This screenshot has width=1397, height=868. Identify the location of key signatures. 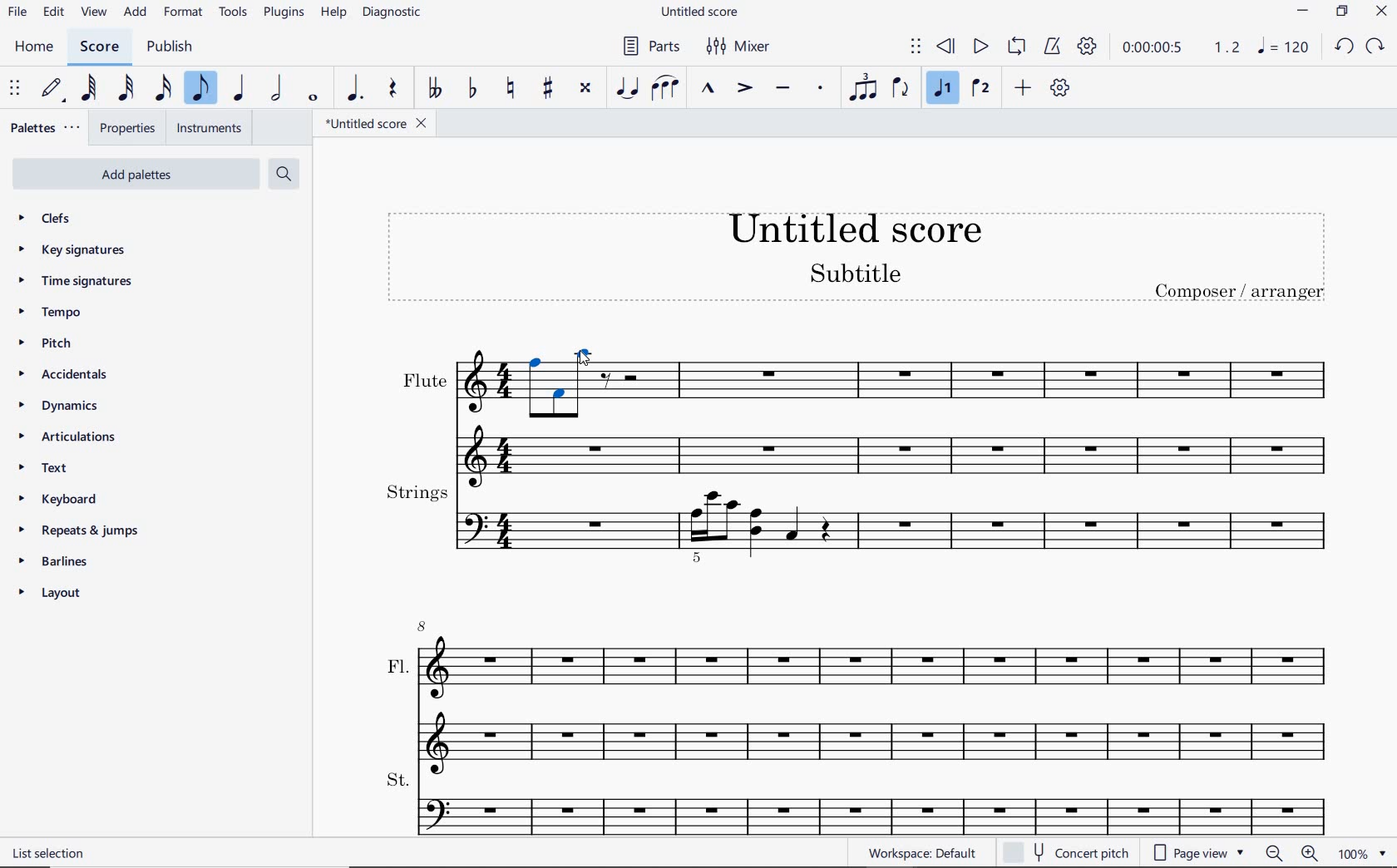
(76, 253).